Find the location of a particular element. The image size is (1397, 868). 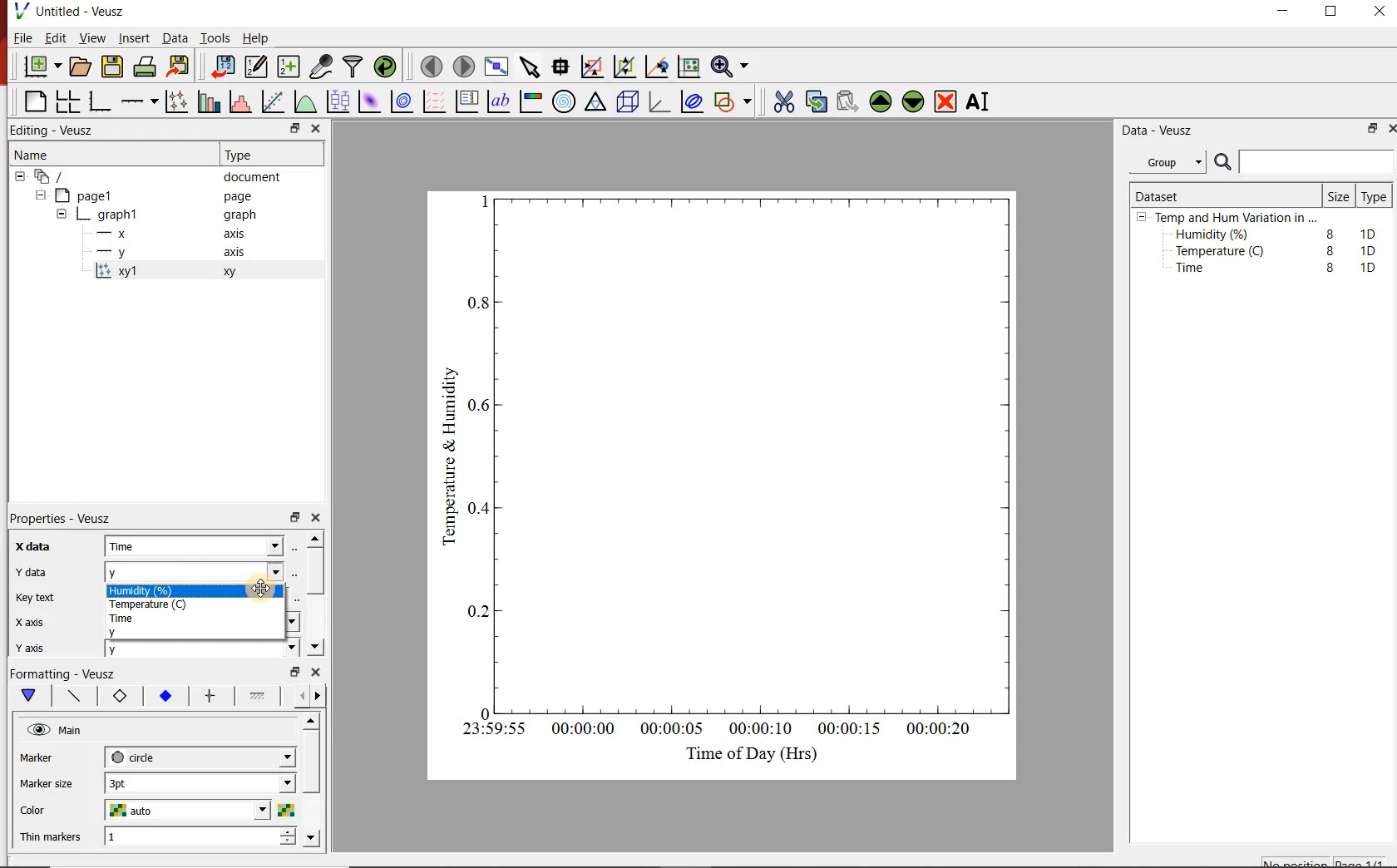

Select color is located at coordinates (287, 811).